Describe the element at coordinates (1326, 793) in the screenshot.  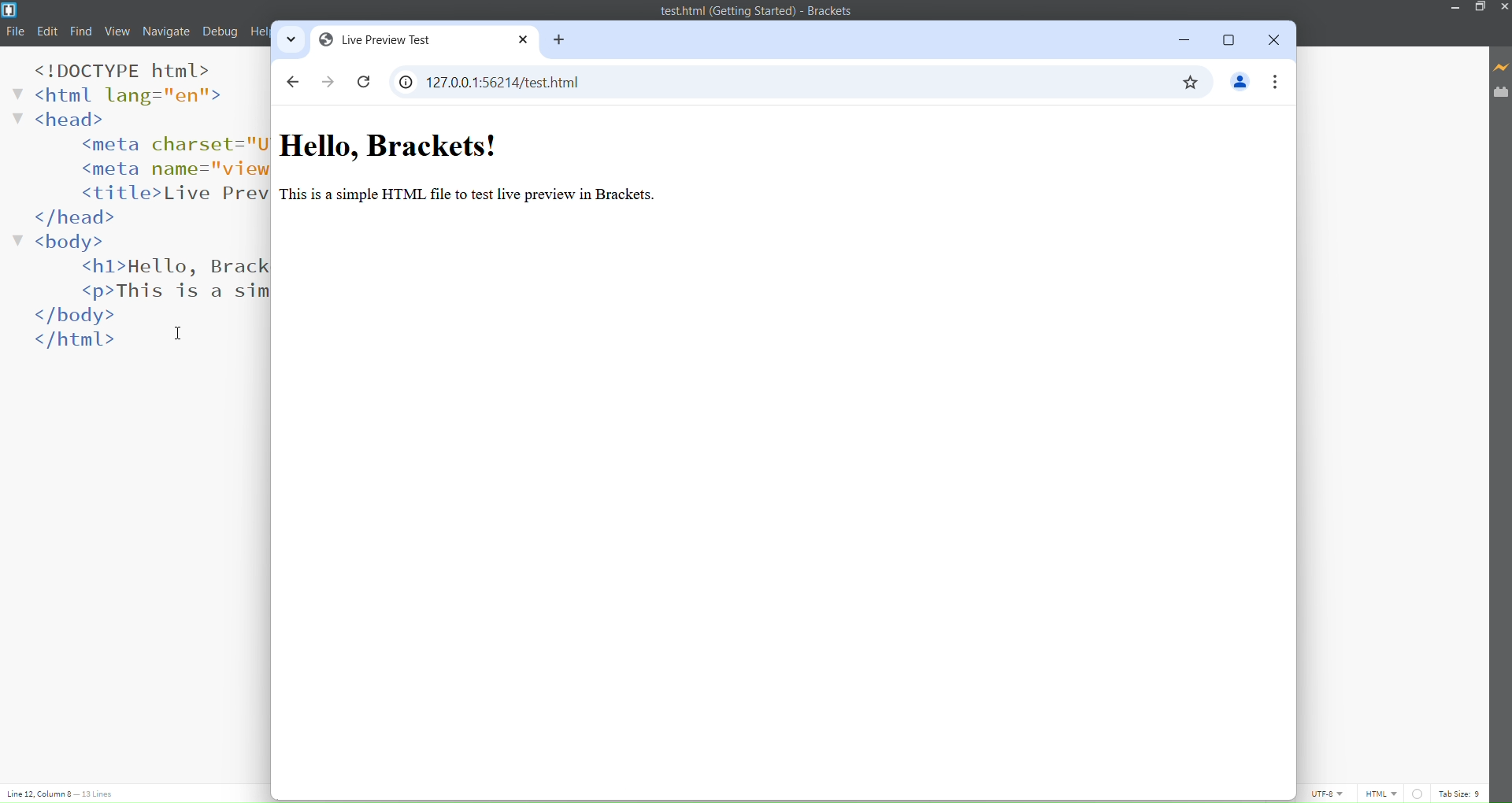
I see `UTF-8` at that location.